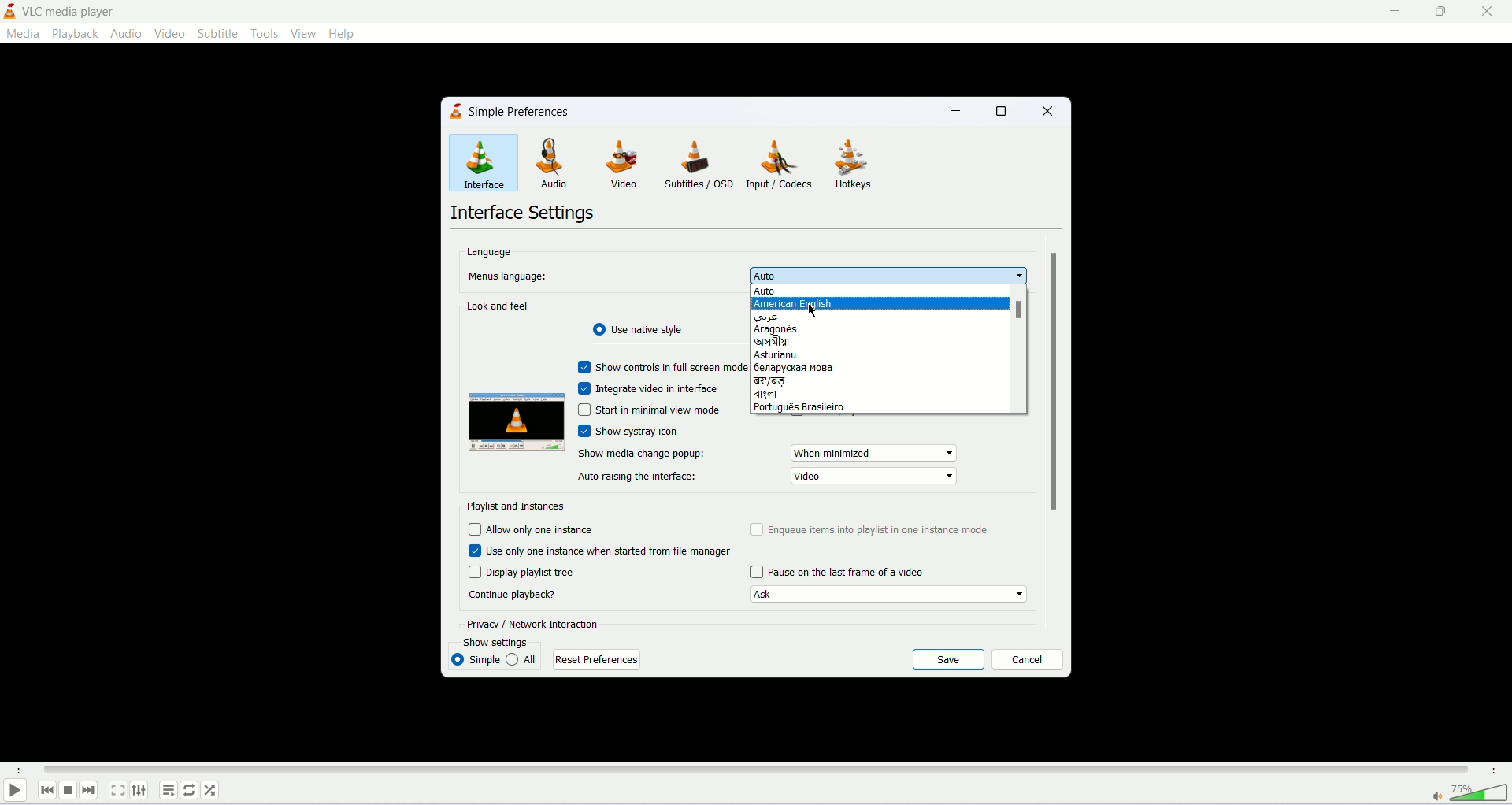  Describe the element at coordinates (516, 424) in the screenshot. I see `preview` at that location.